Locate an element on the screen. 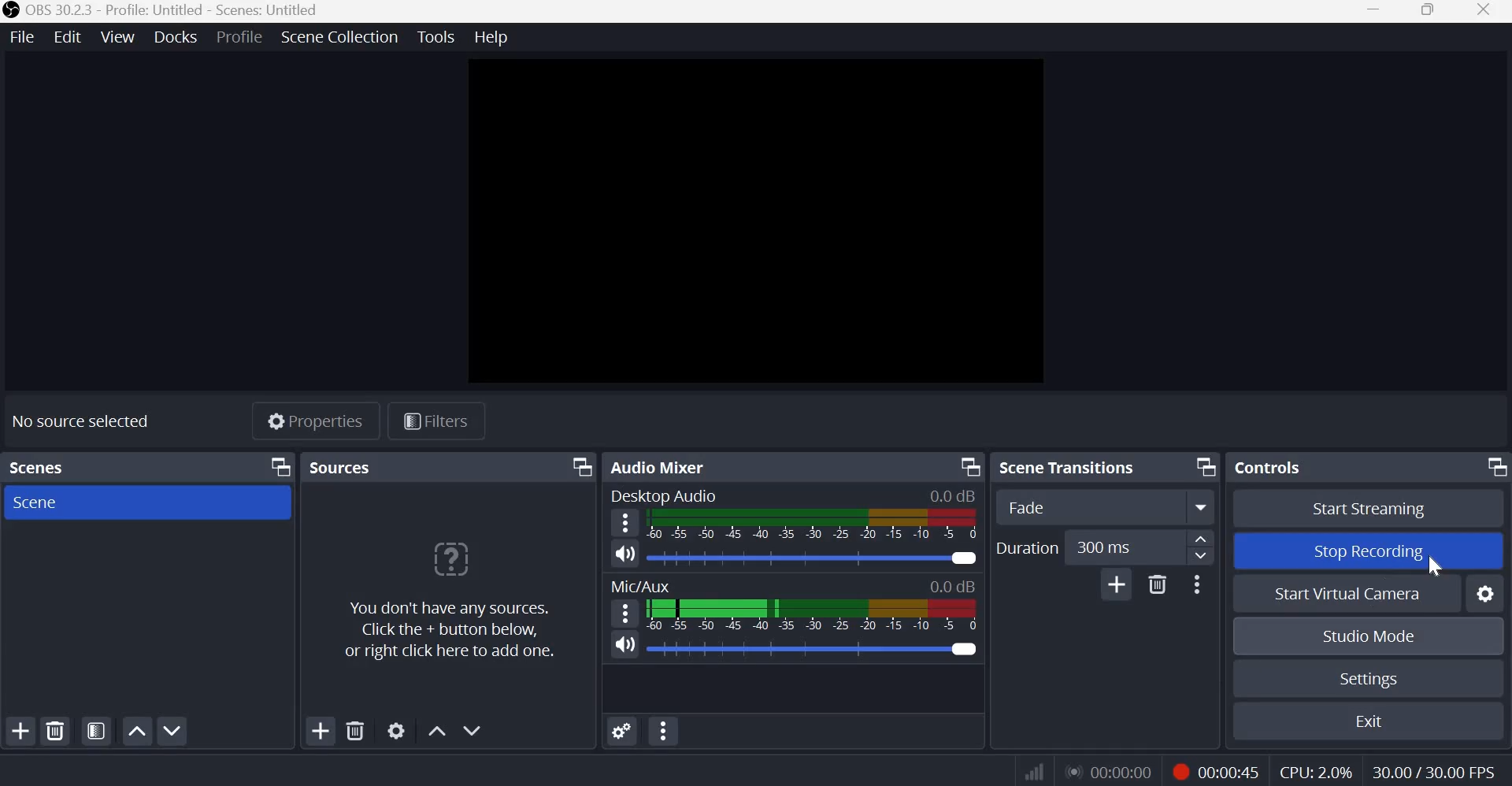 The width and height of the screenshot is (1512, 786). Speaker Icon is located at coordinates (626, 644).